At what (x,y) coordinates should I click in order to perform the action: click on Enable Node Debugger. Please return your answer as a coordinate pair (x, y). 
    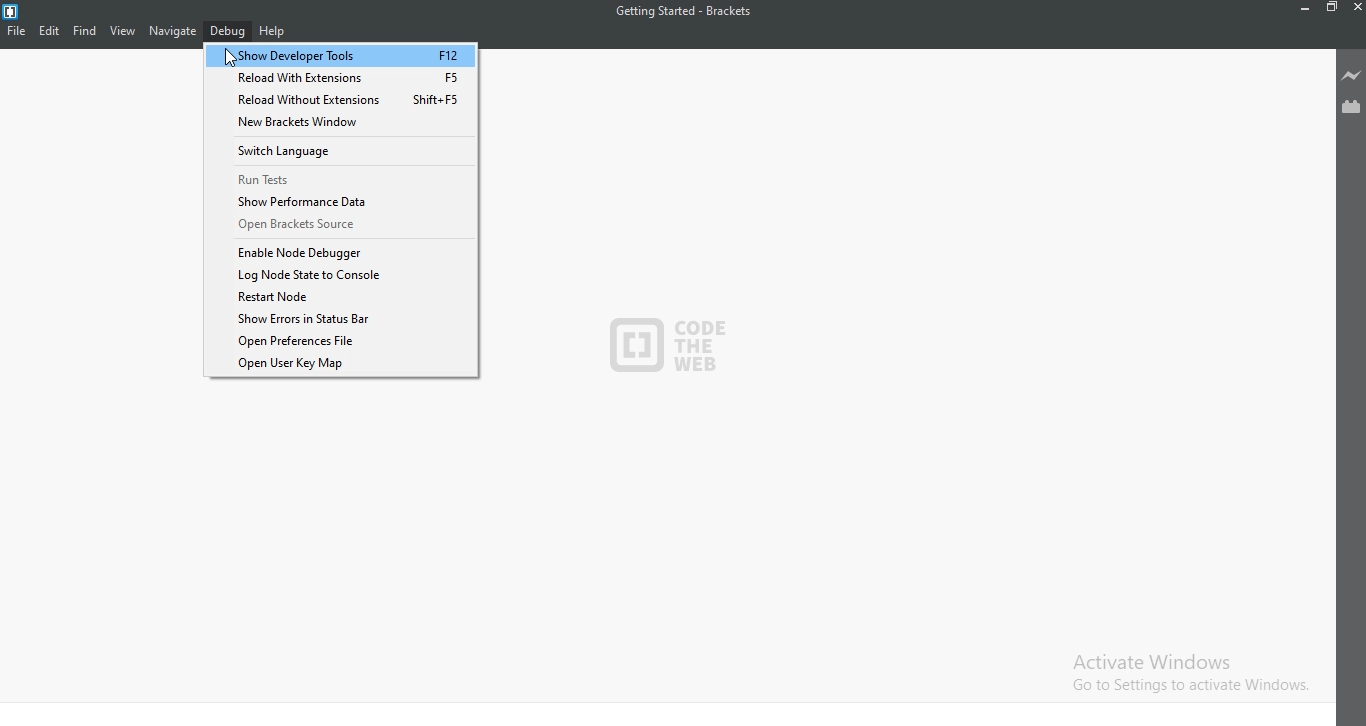
    Looking at the image, I should click on (343, 252).